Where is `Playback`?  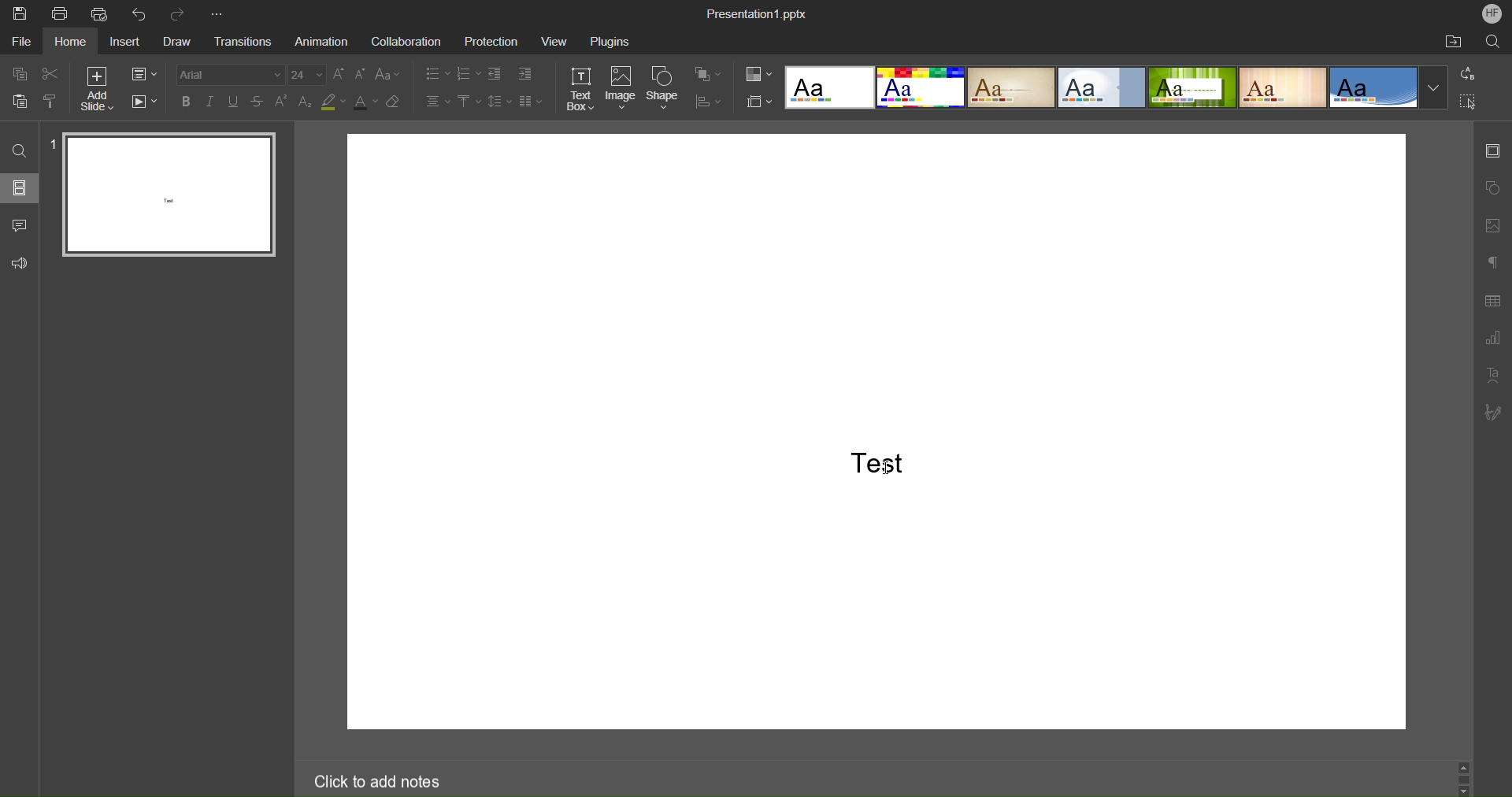 Playback is located at coordinates (146, 102).